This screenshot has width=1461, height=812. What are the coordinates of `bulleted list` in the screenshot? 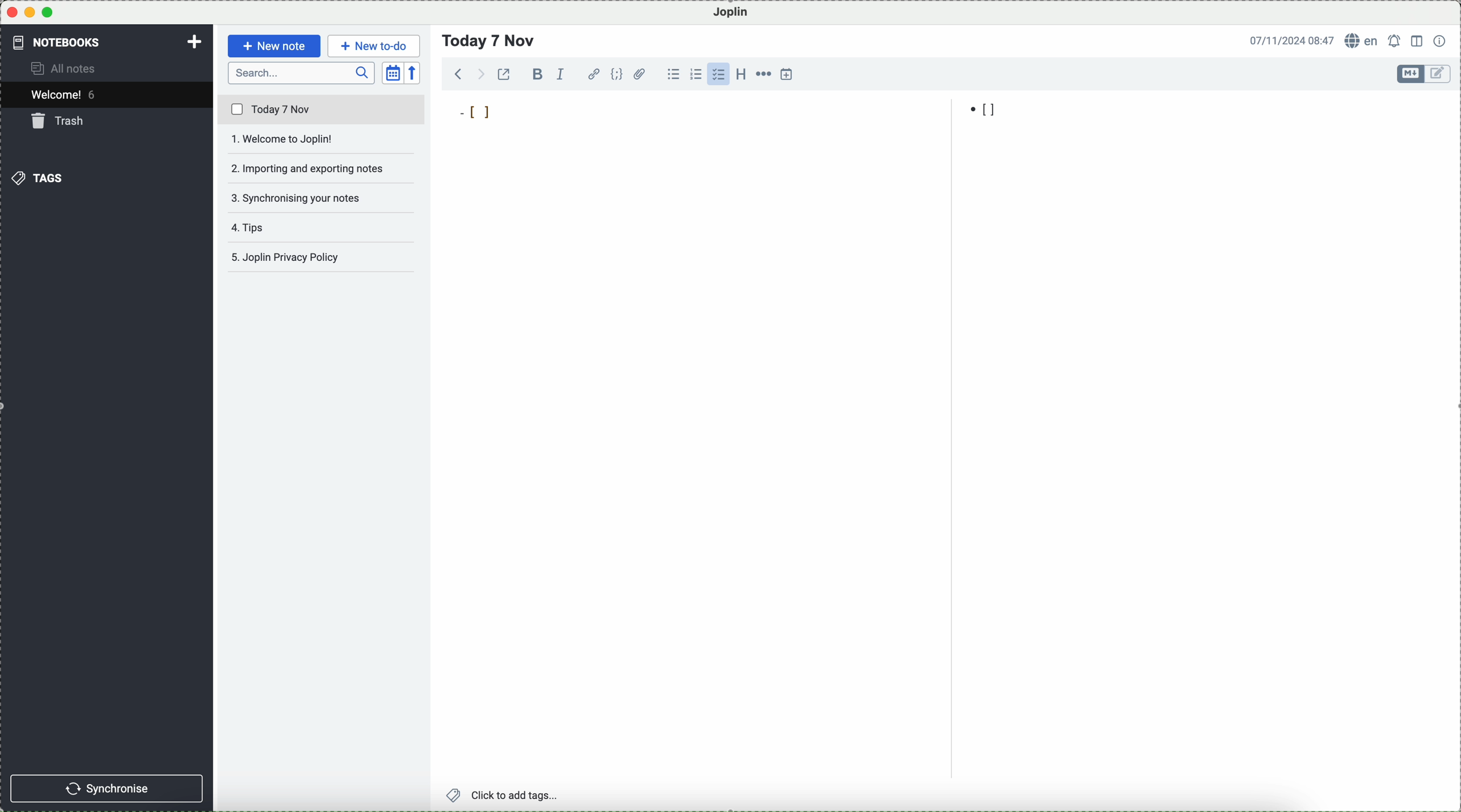 It's located at (673, 74).